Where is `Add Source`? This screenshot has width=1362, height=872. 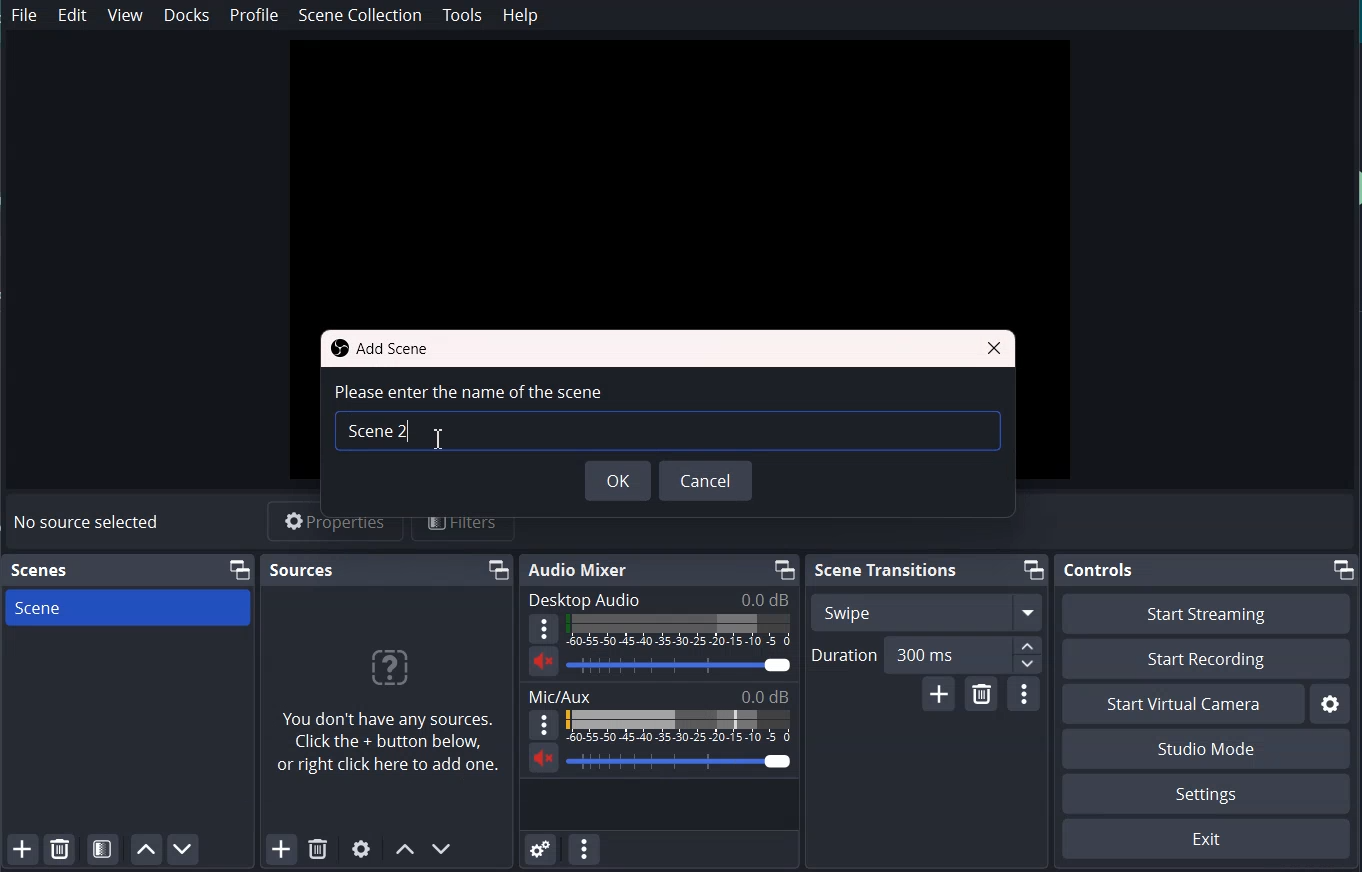 Add Source is located at coordinates (281, 850).